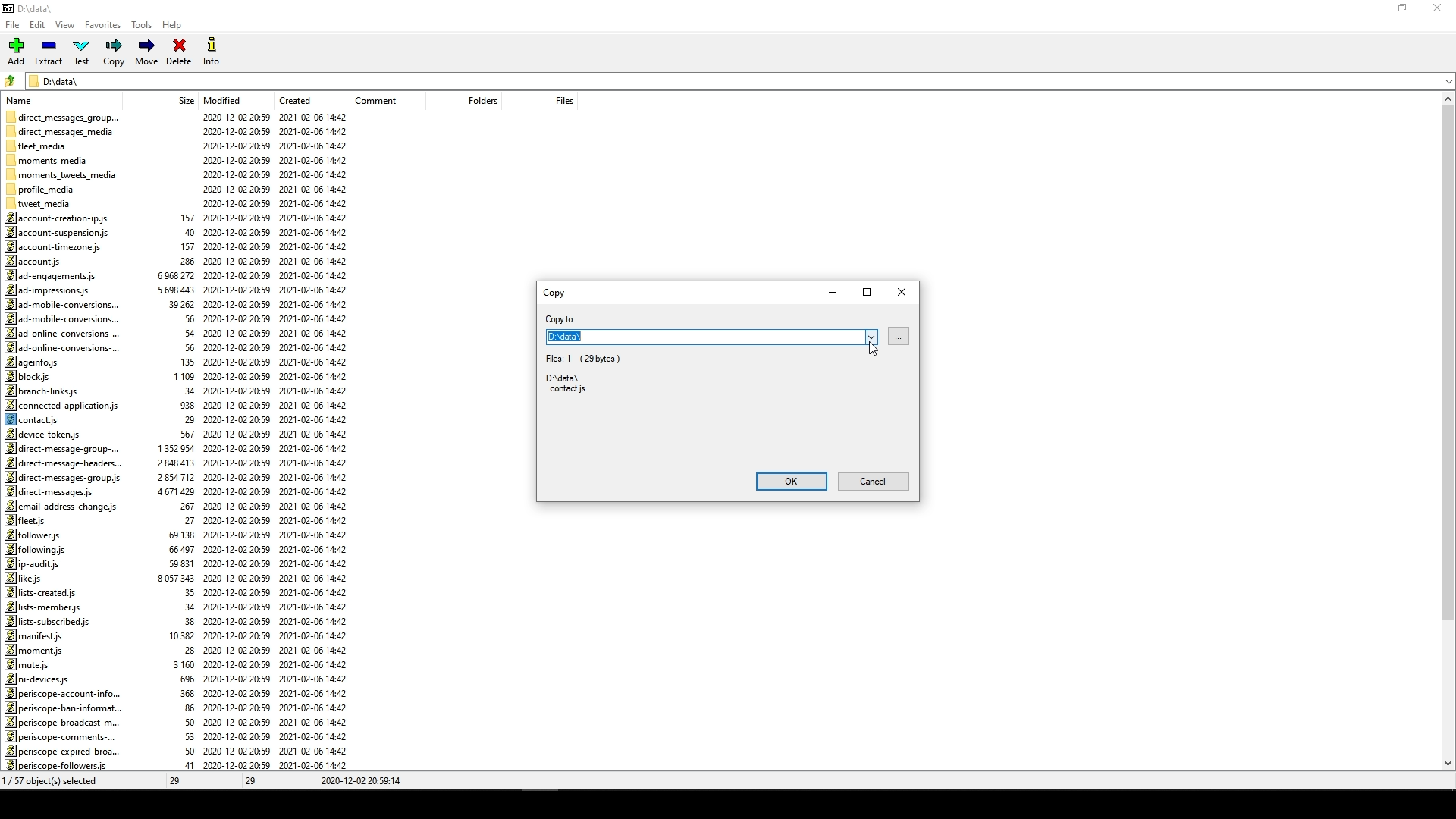 This screenshot has width=1456, height=819. I want to click on direct_messages_media, so click(65, 131).